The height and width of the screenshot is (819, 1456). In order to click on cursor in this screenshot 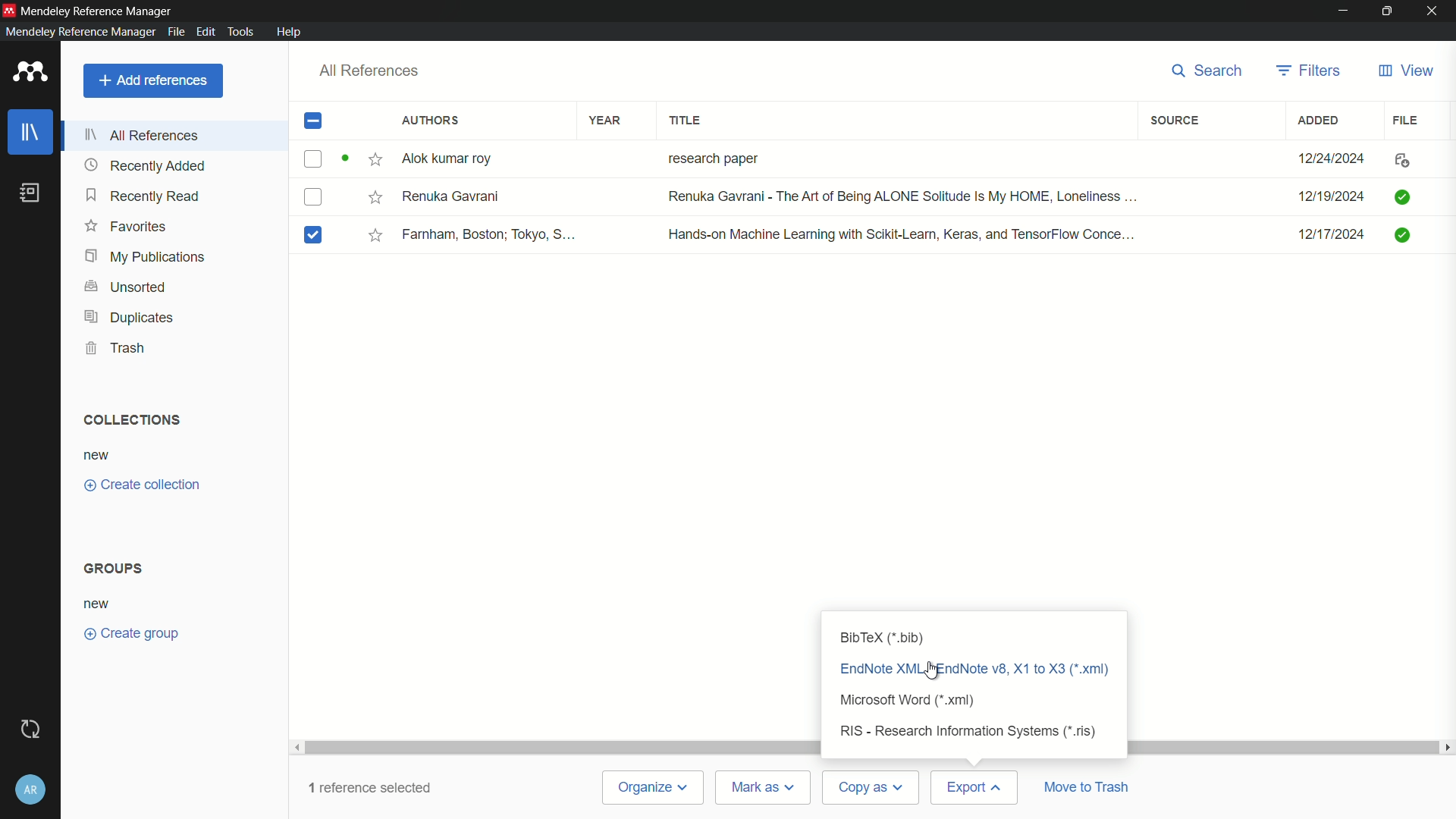, I will do `click(930, 672)`.